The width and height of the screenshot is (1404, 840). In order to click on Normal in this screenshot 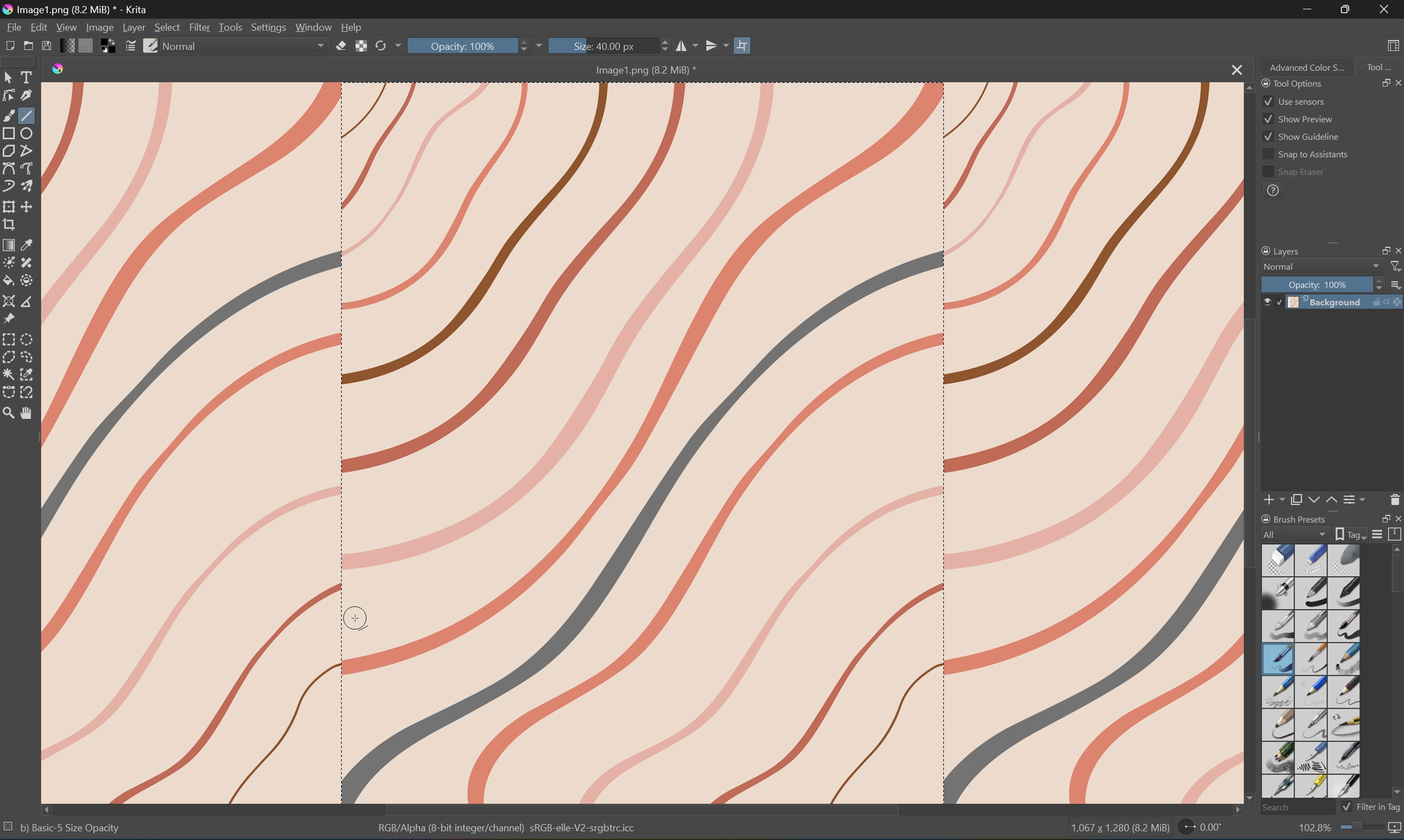, I will do `click(1279, 267)`.